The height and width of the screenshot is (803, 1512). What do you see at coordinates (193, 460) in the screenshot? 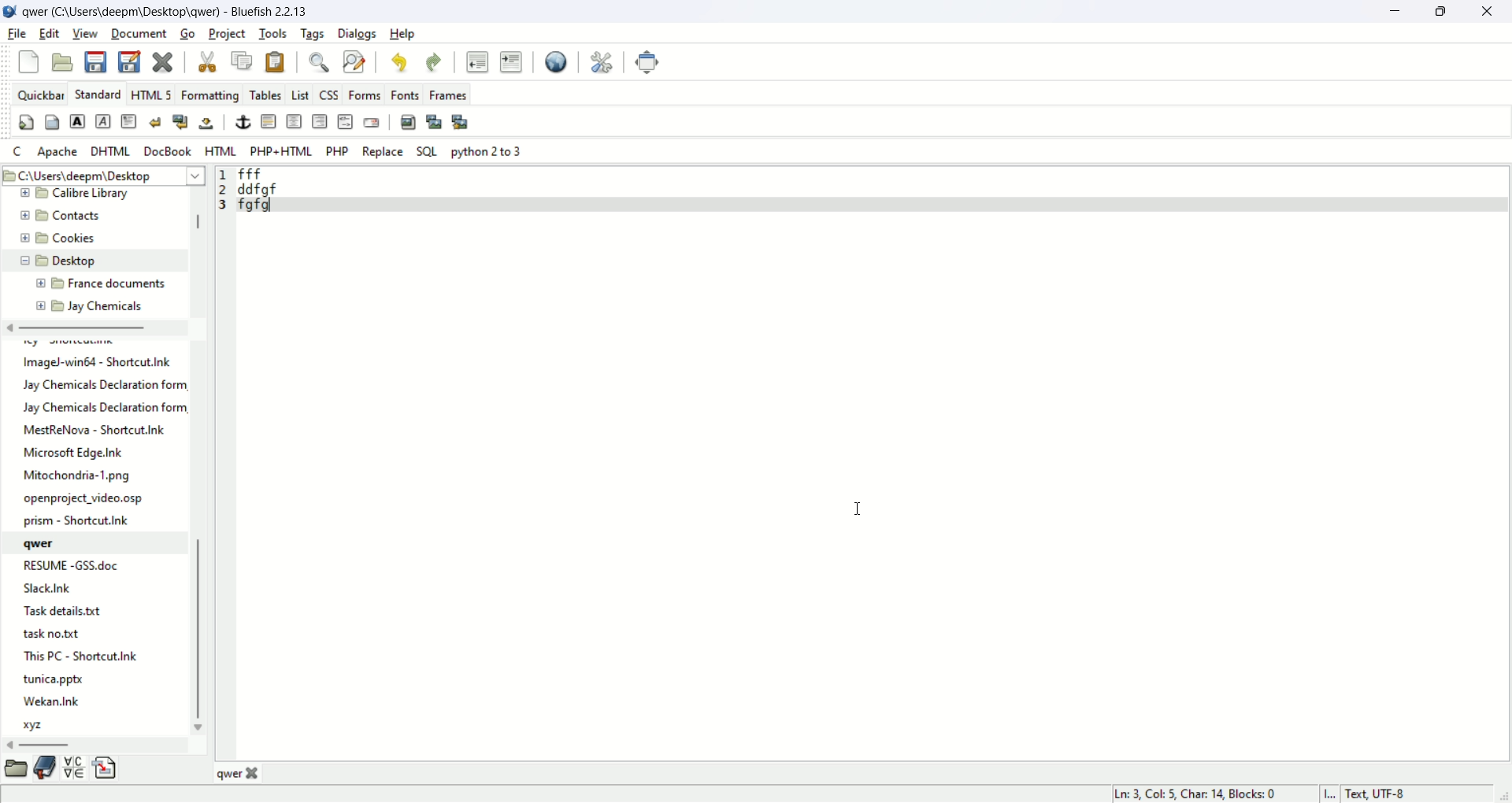
I see `vertical scroll bar` at bounding box center [193, 460].